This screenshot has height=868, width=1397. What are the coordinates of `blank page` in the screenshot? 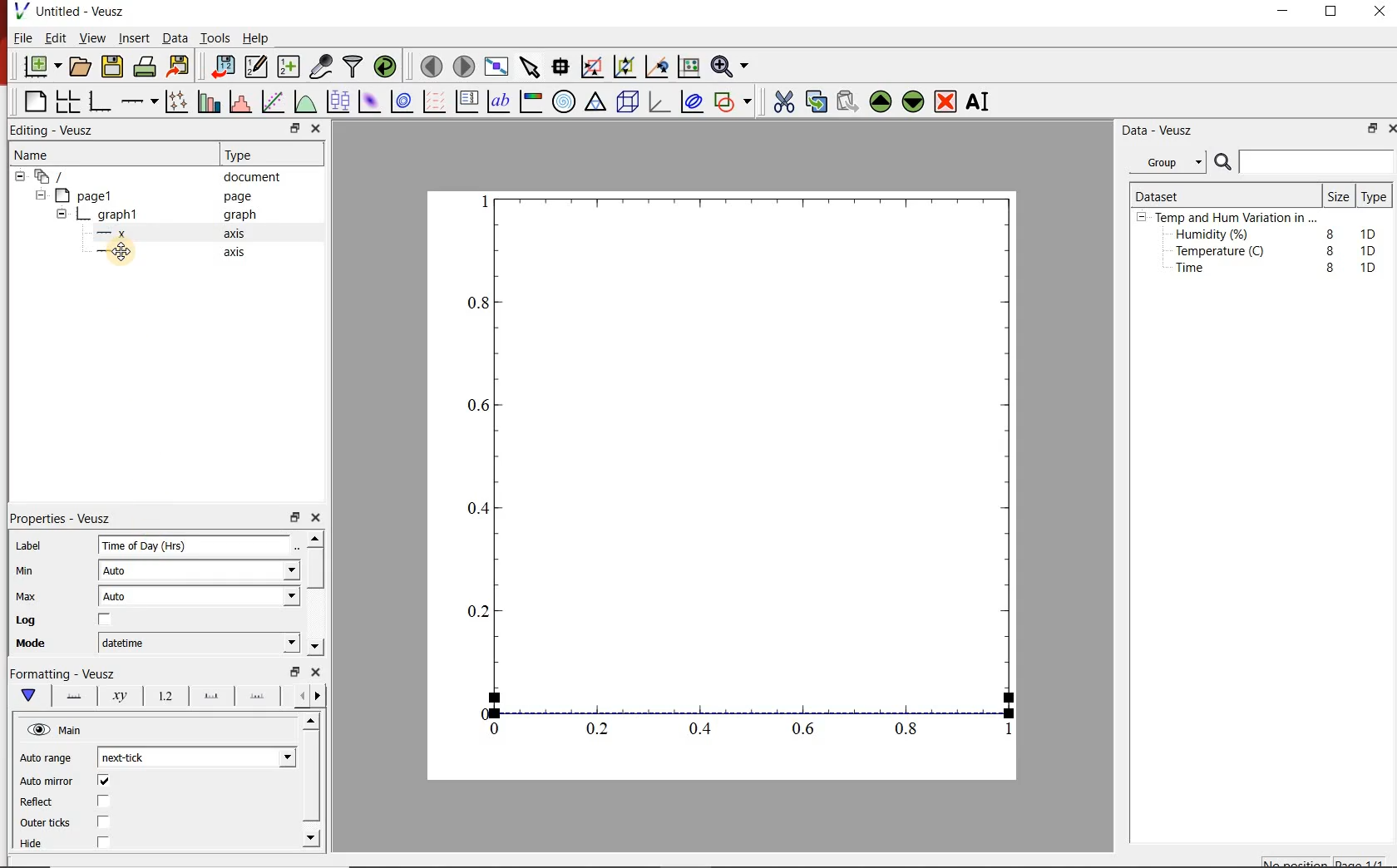 It's located at (33, 100).